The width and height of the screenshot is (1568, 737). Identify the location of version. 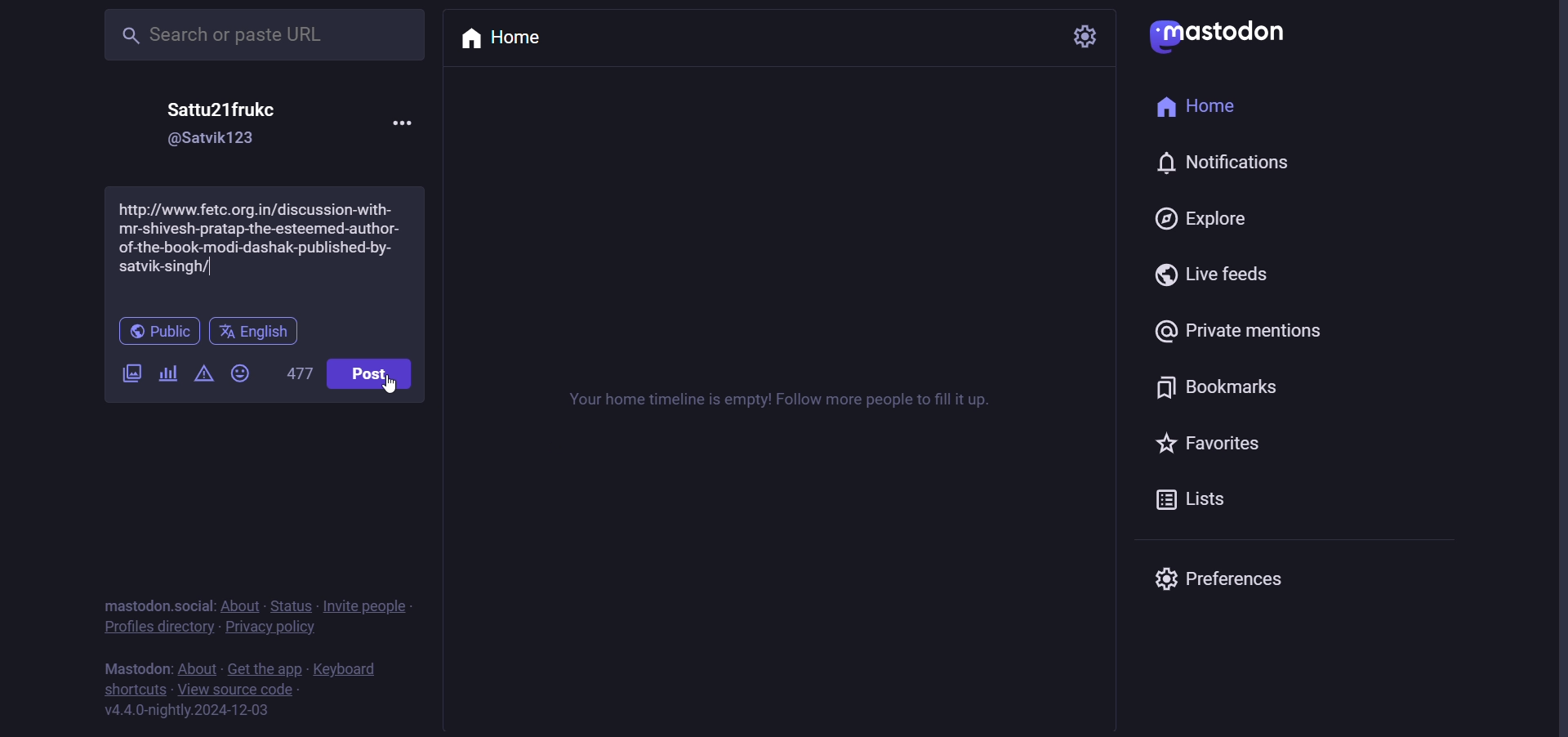
(191, 714).